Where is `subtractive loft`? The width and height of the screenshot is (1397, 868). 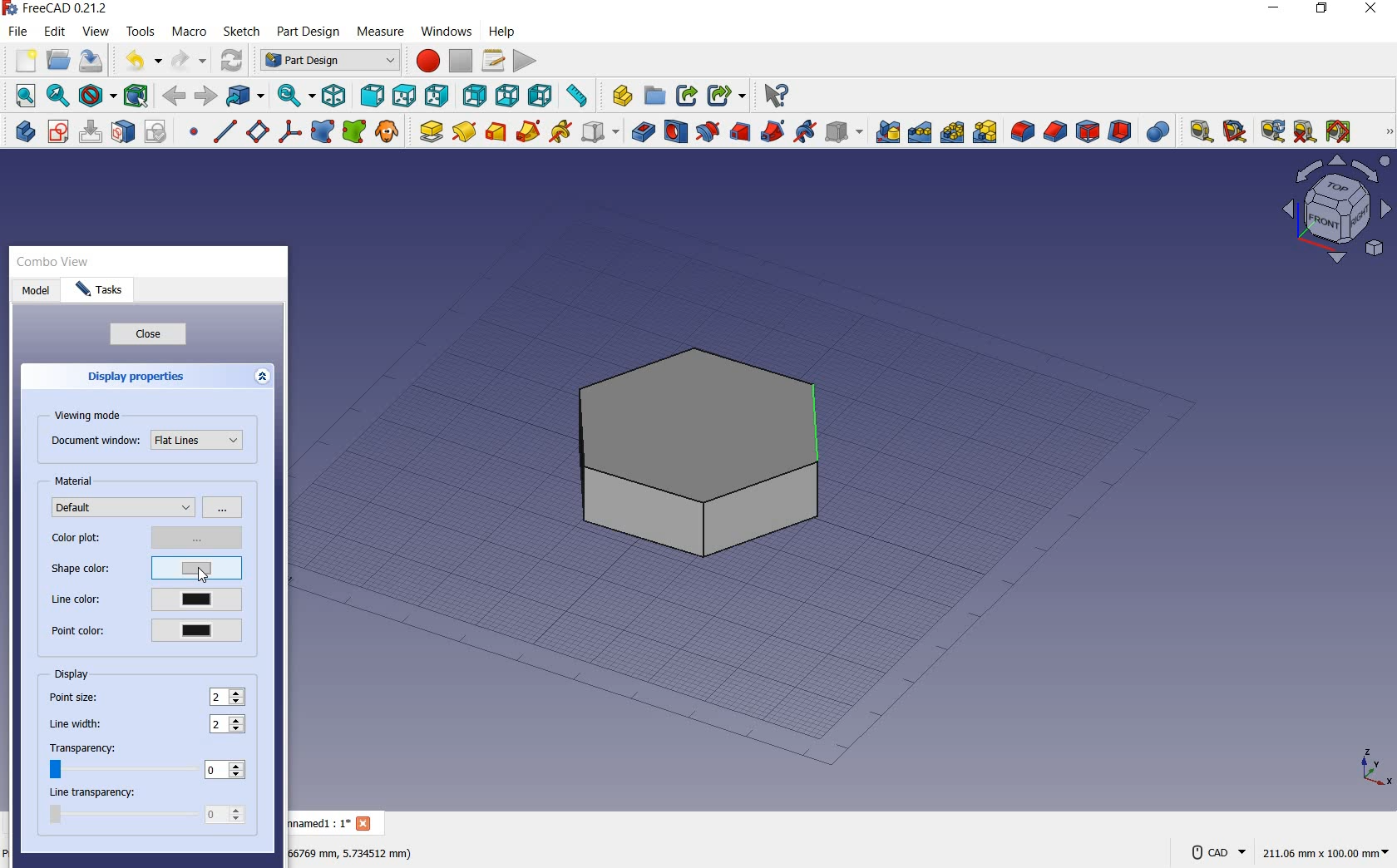 subtractive loft is located at coordinates (742, 134).